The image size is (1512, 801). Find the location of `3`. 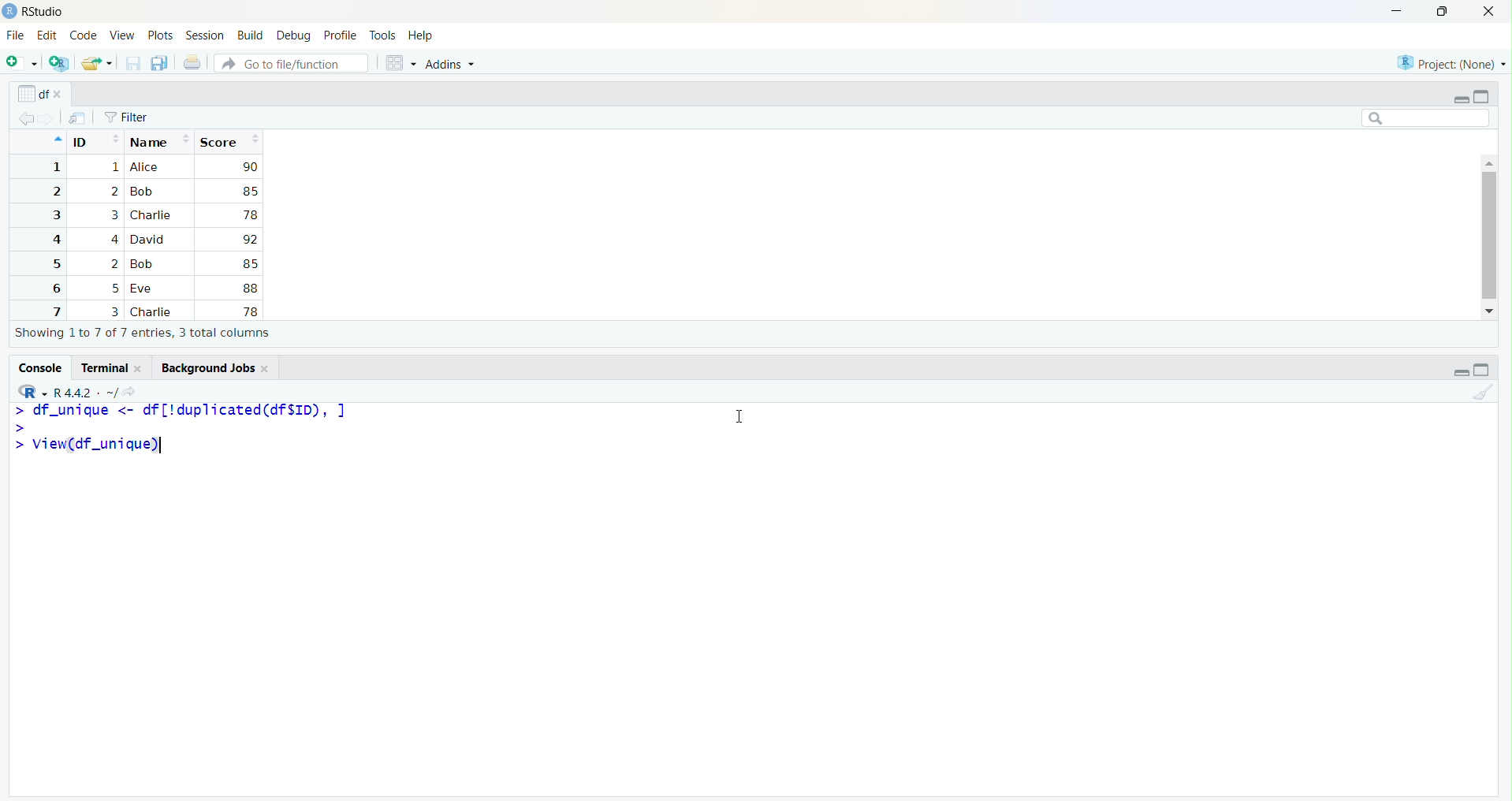

3 is located at coordinates (54, 215).